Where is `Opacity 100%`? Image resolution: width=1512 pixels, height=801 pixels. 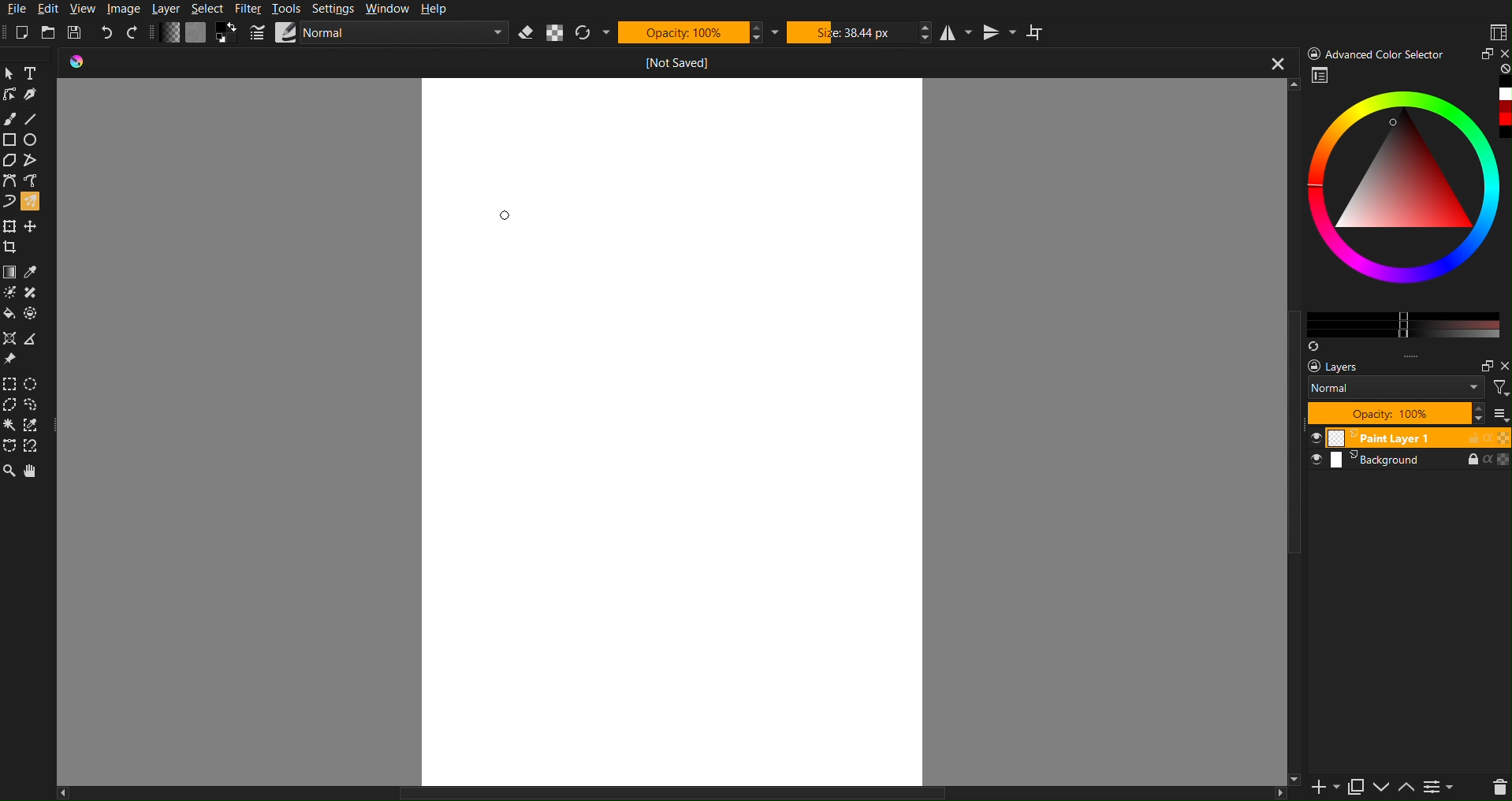
Opacity 100% is located at coordinates (1395, 413).